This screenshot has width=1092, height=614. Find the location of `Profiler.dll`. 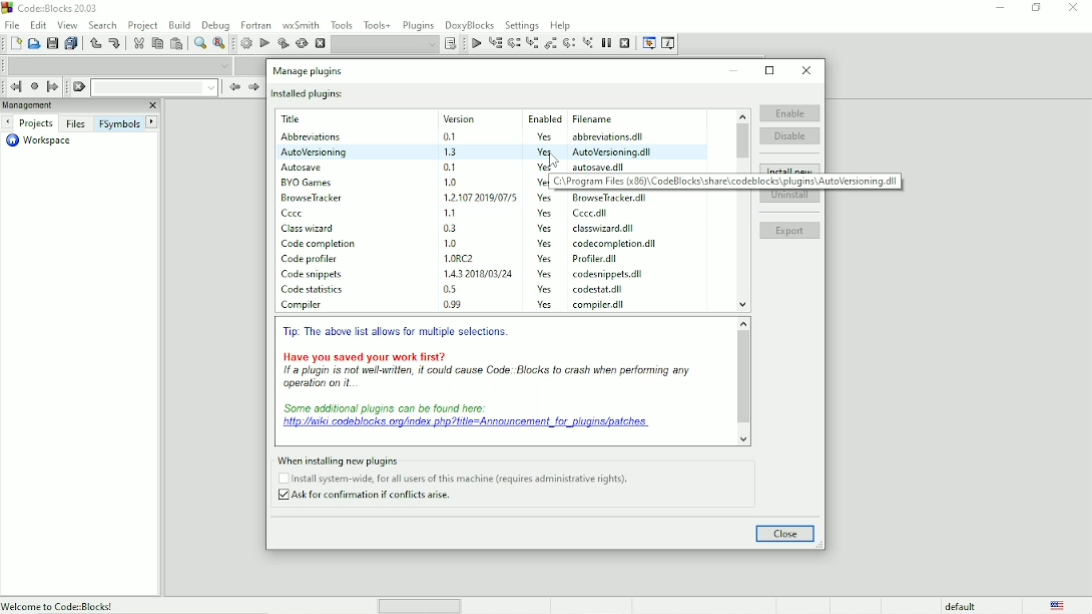

Profiler.dll is located at coordinates (598, 259).